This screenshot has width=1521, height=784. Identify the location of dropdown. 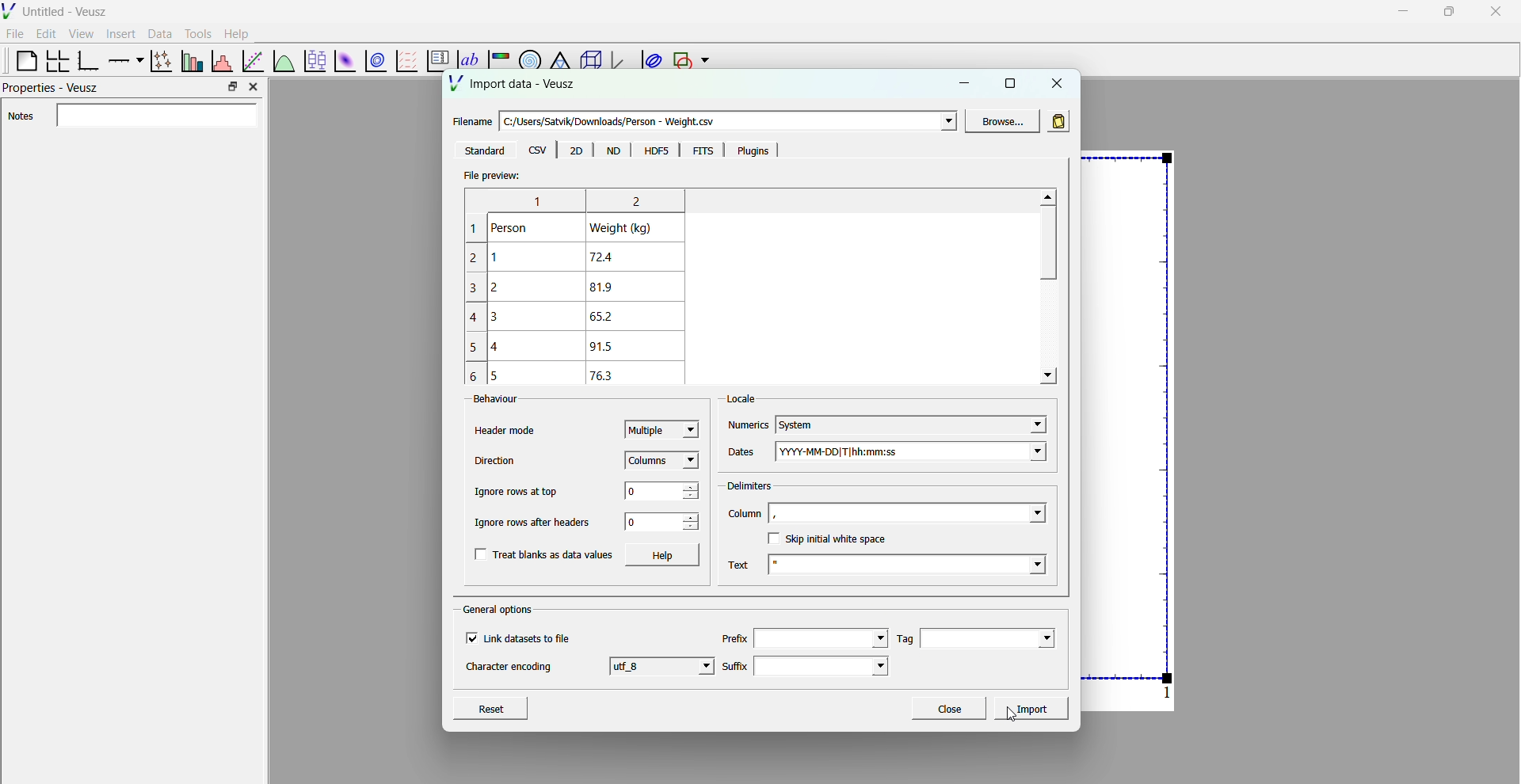
(946, 121).